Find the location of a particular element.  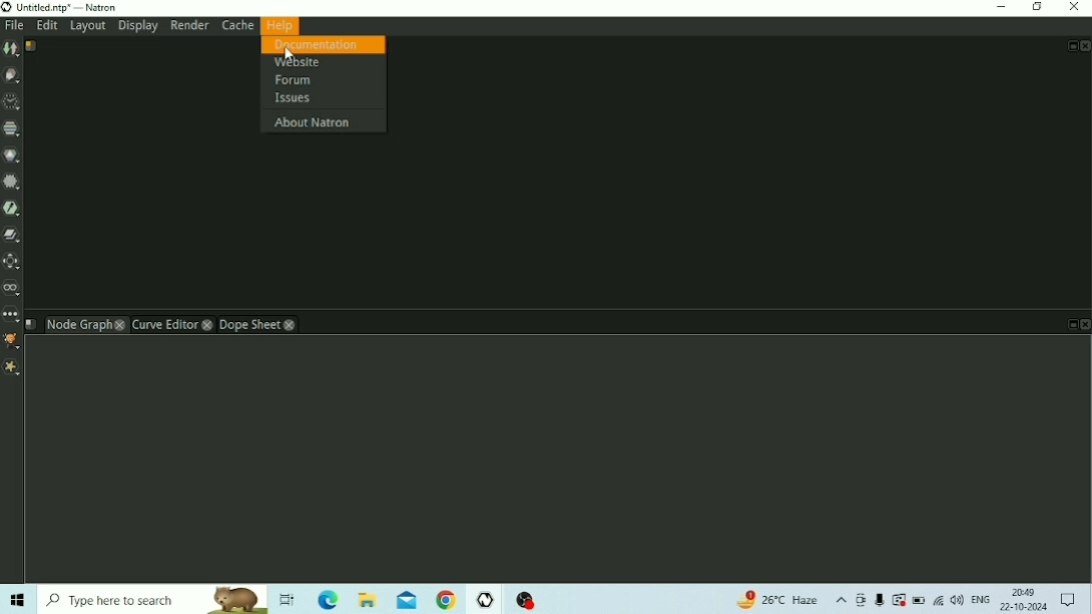

Microsoft Edge is located at coordinates (328, 598).